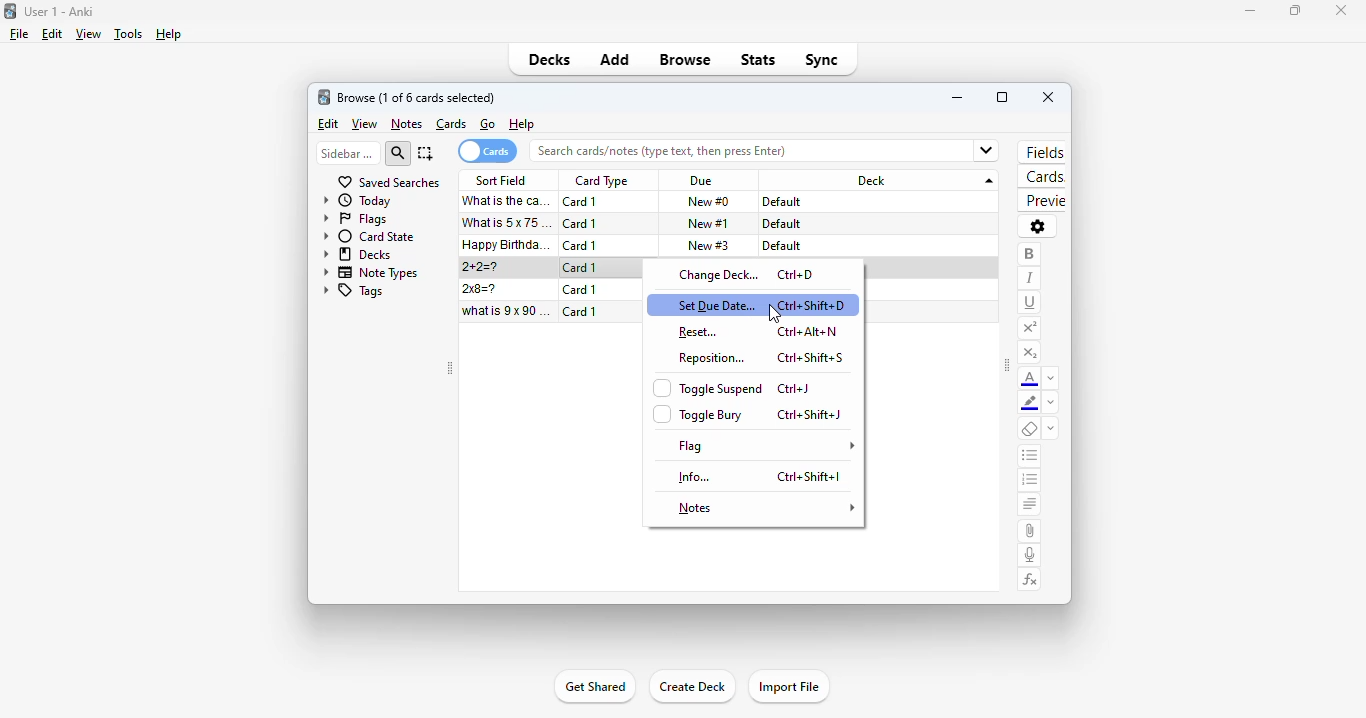 The height and width of the screenshot is (718, 1366). What do you see at coordinates (372, 272) in the screenshot?
I see `note types` at bounding box center [372, 272].